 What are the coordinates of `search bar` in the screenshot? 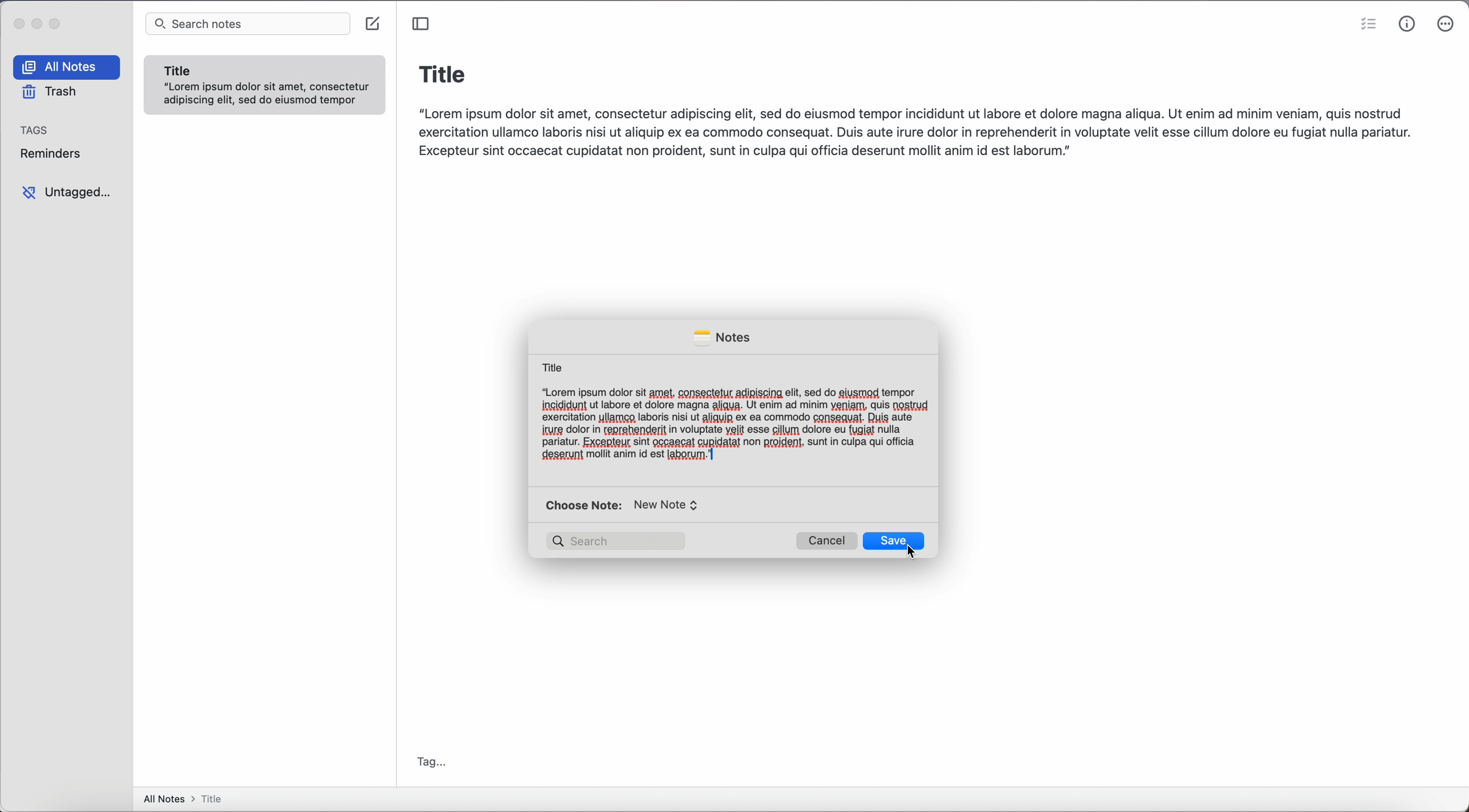 It's located at (618, 541).